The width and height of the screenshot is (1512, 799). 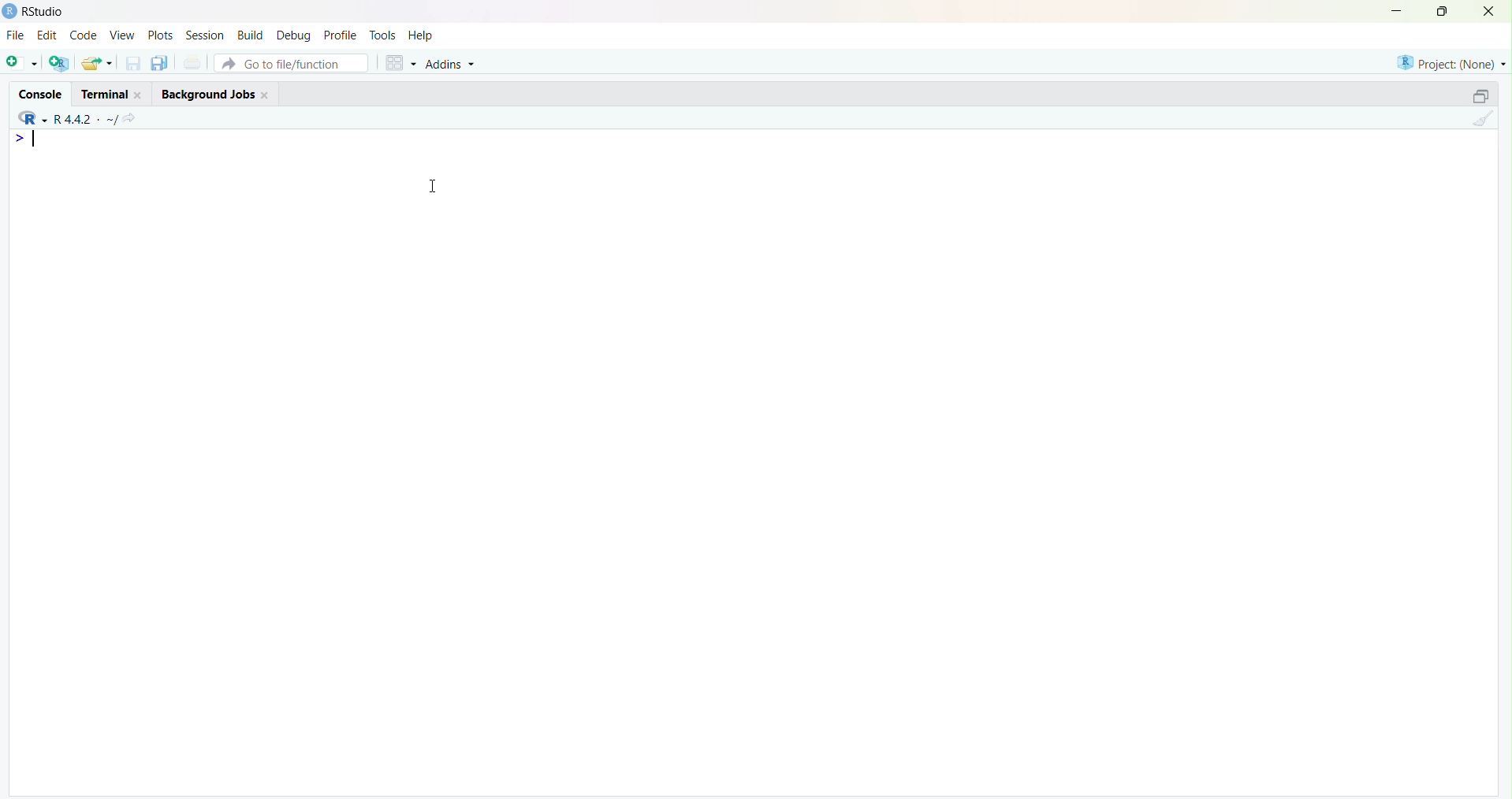 I want to click on Code, so click(x=82, y=35).